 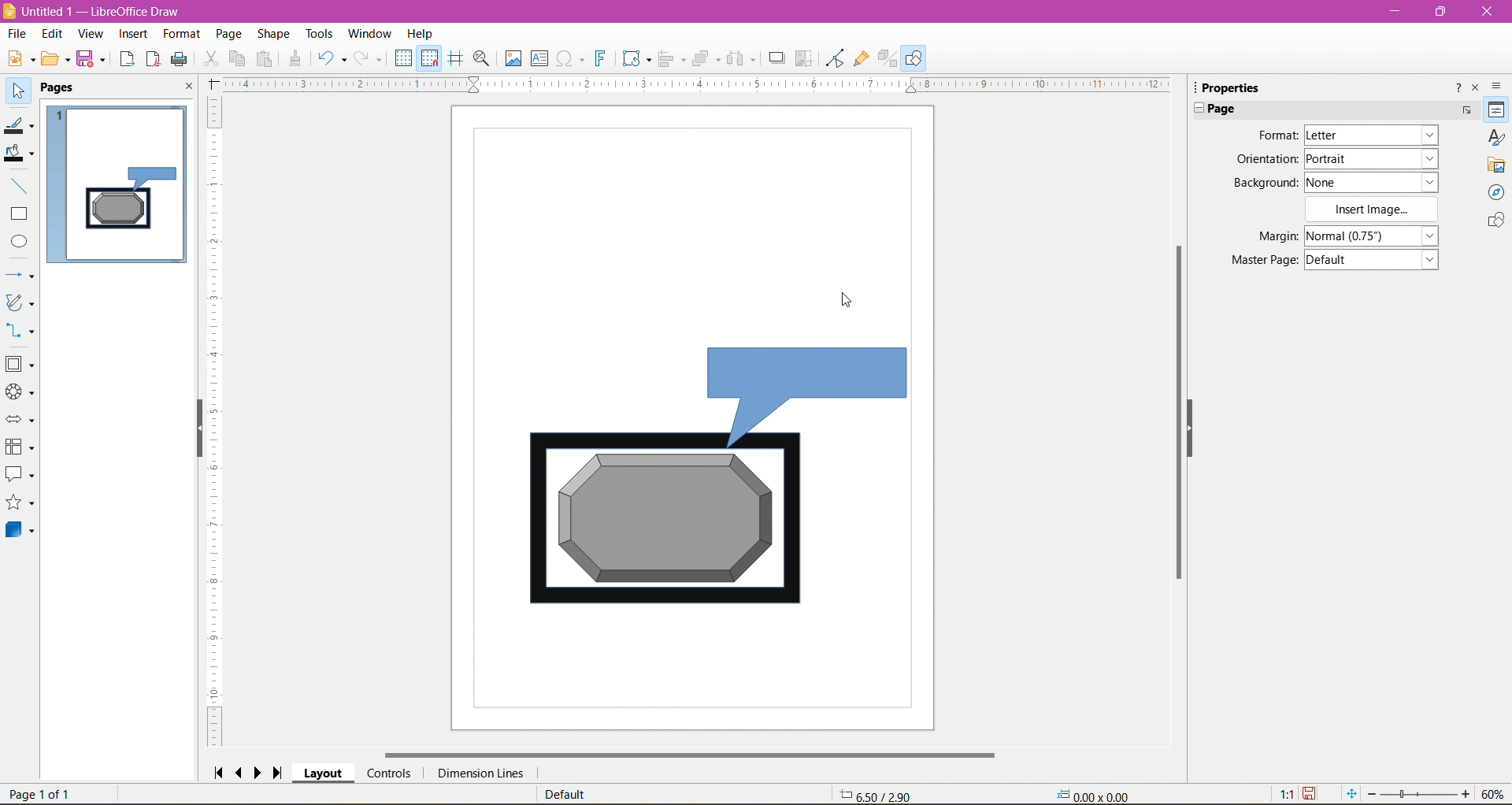 What do you see at coordinates (636, 60) in the screenshot?
I see `Transformations` at bounding box center [636, 60].